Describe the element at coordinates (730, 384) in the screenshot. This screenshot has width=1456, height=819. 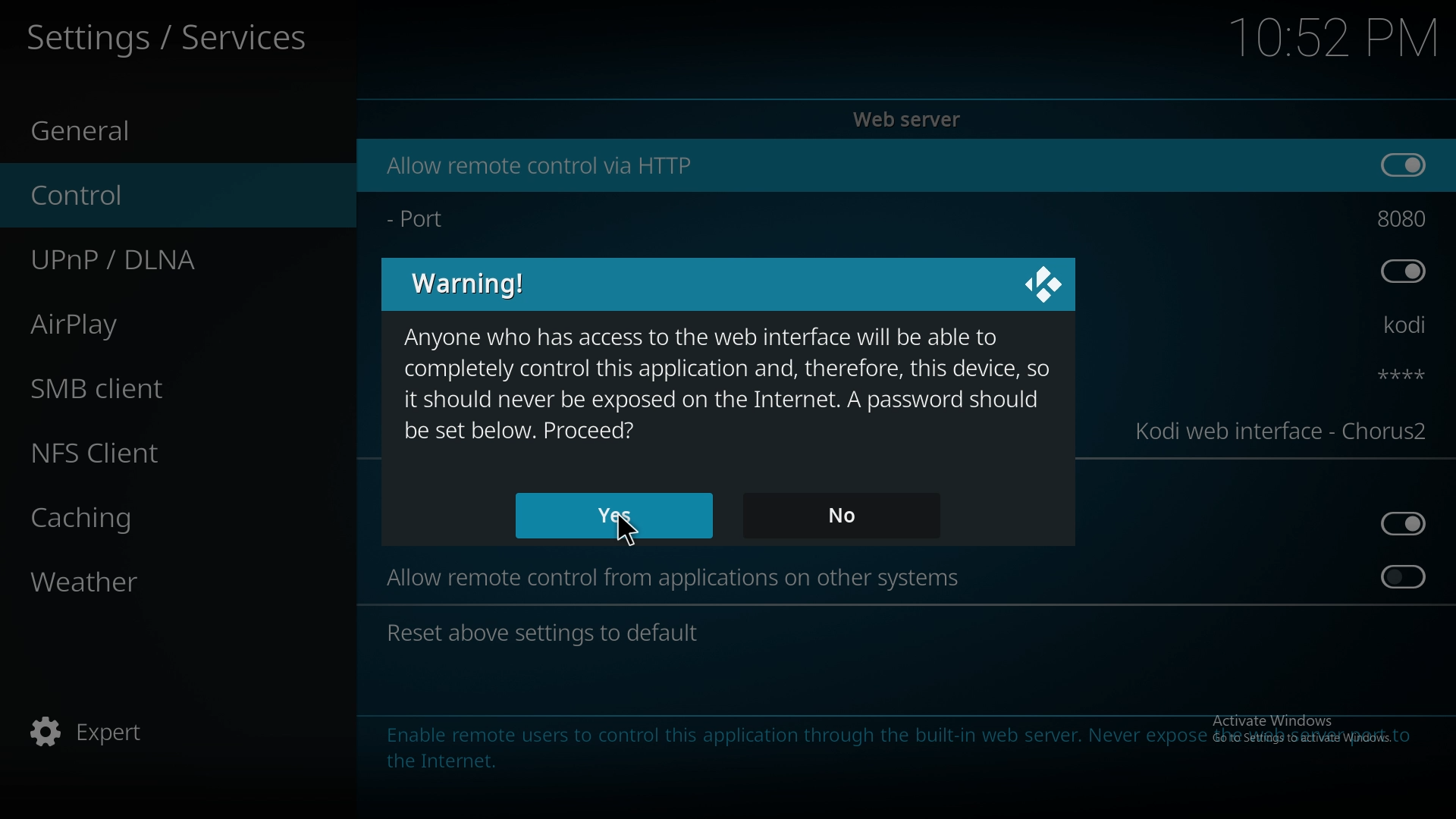
I see `warning` at that location.